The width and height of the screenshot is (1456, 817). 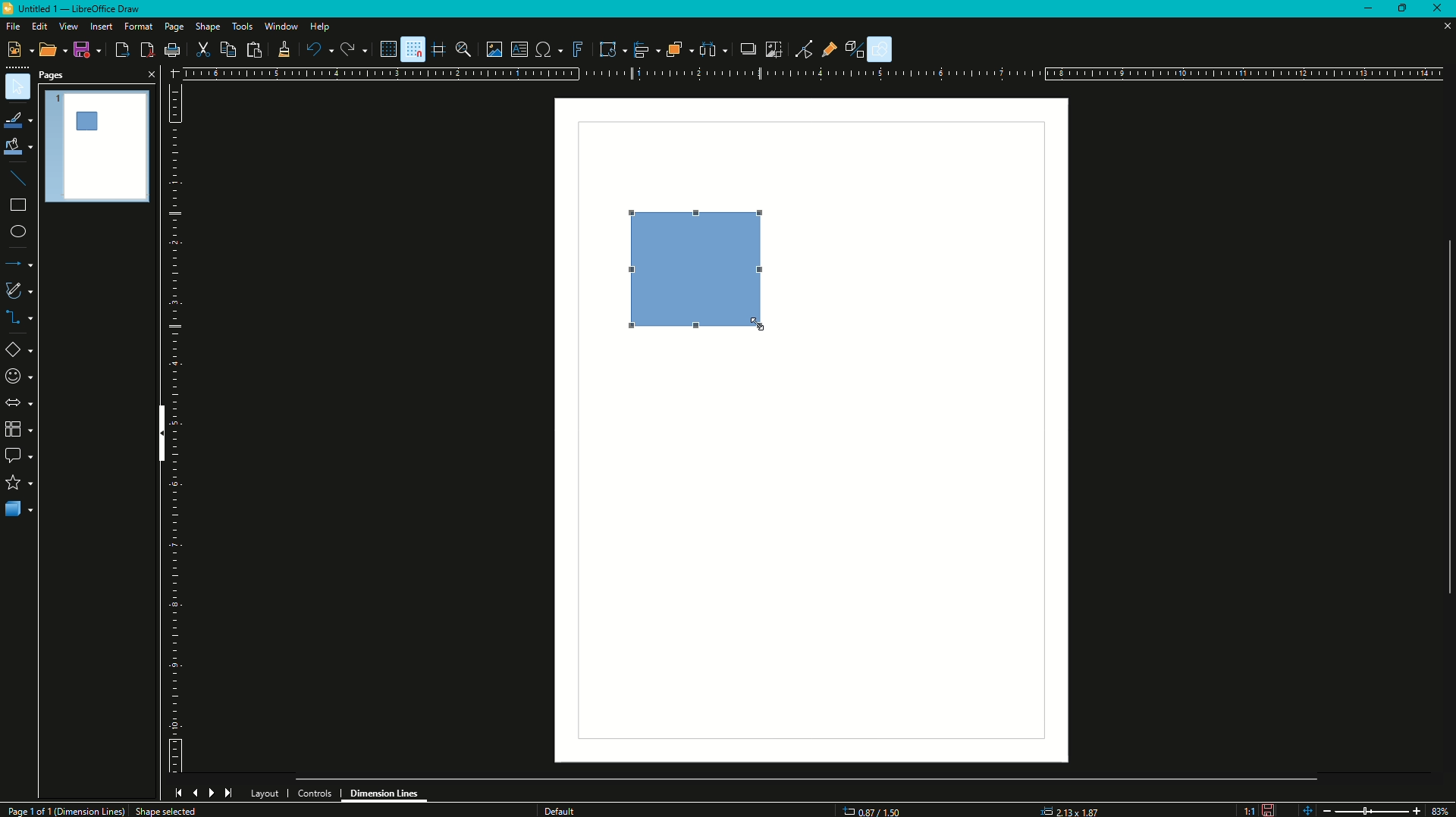 I want to click on Cut, so click(x=203, y=49).